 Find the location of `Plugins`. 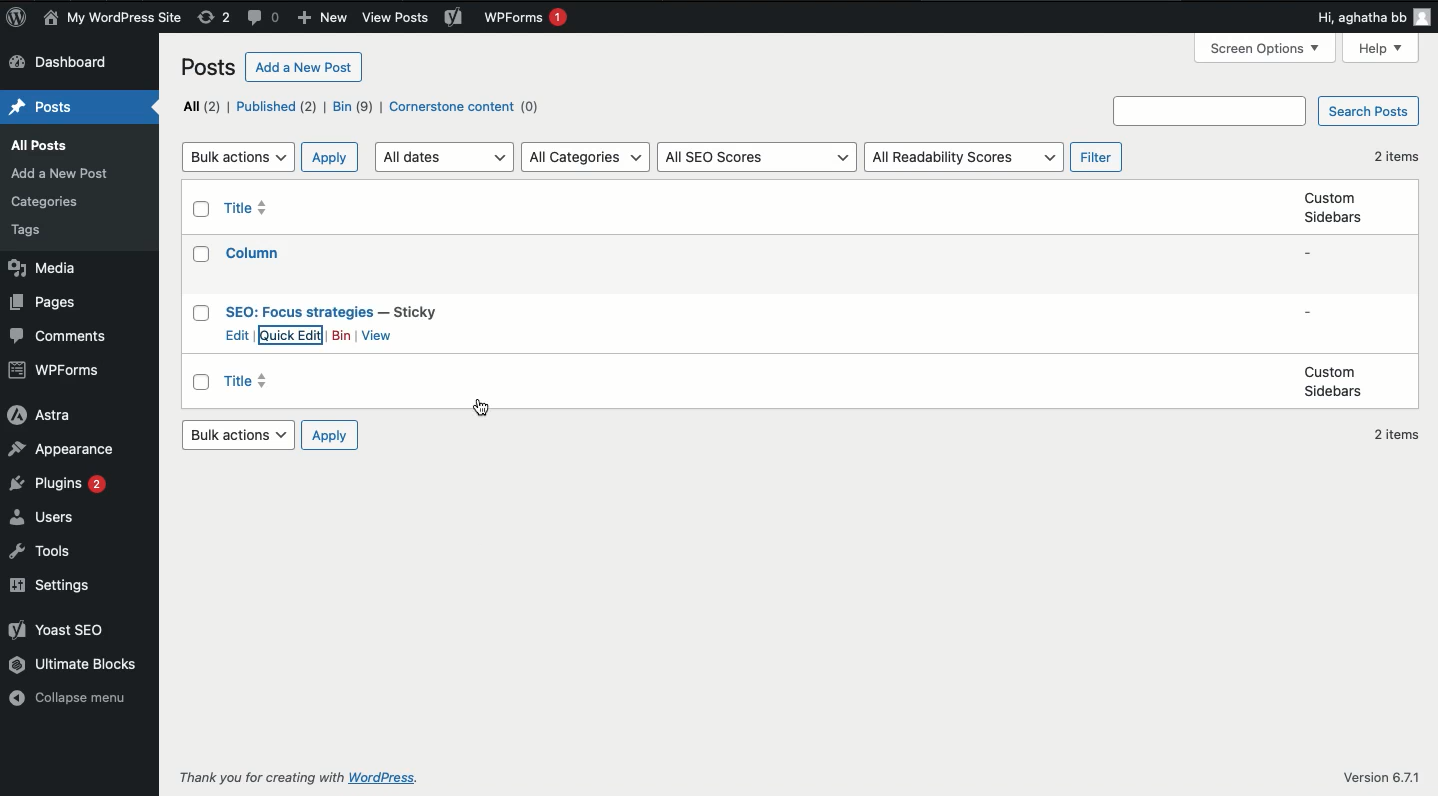

Plugins is located at coordinates (56, 483).